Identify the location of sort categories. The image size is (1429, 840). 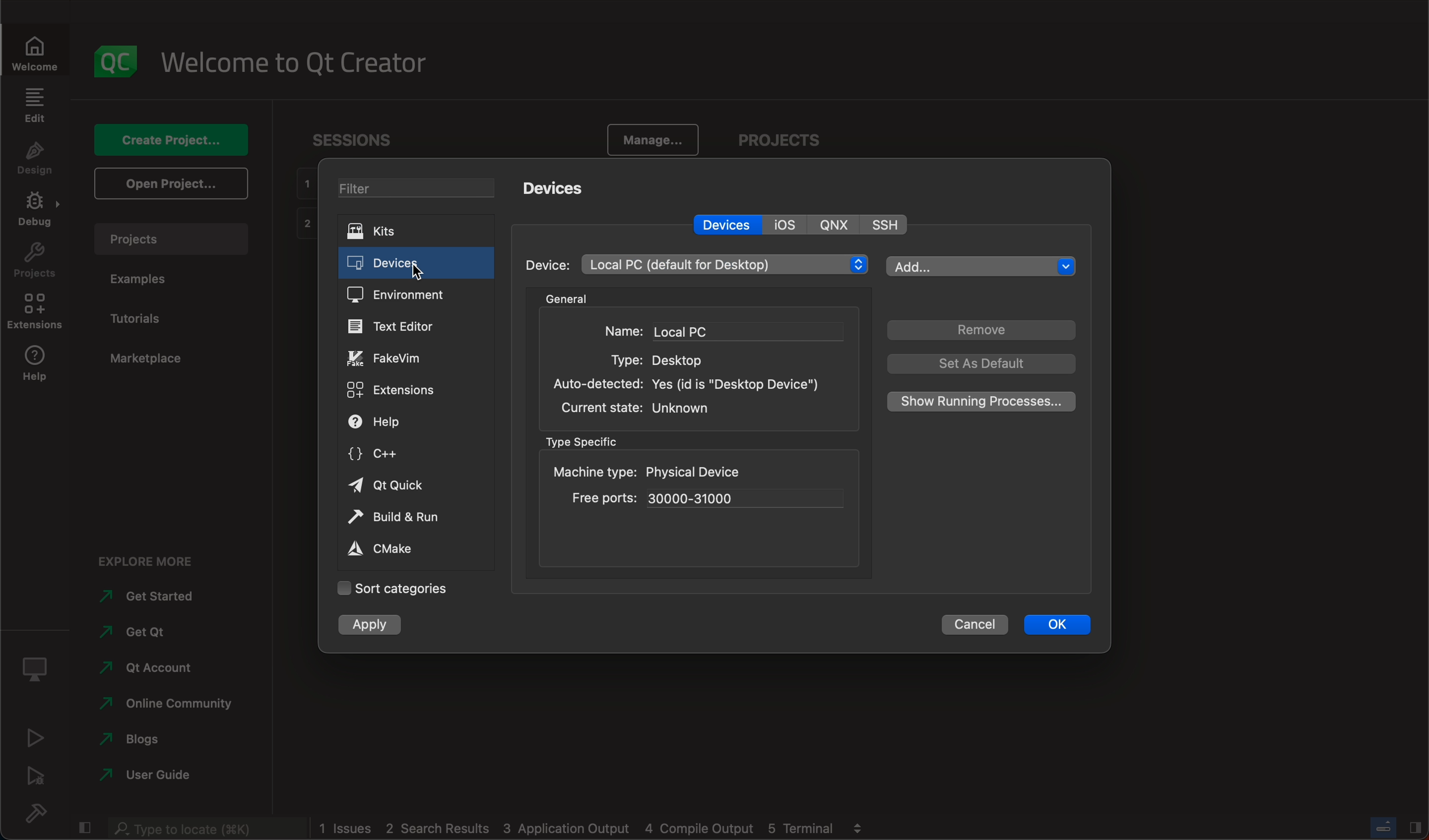
(391, 589).